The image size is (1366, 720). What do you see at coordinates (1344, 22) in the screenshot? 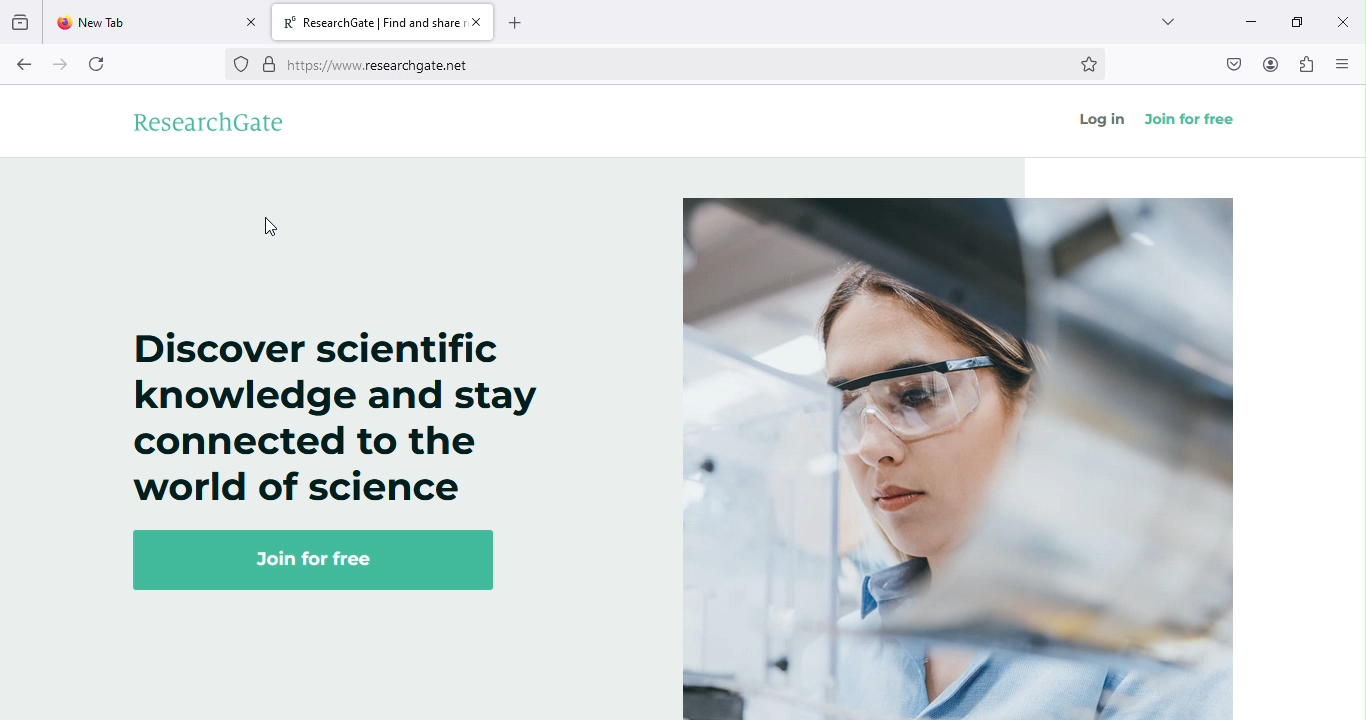
I see `close` at bounding box center [1344, 22].